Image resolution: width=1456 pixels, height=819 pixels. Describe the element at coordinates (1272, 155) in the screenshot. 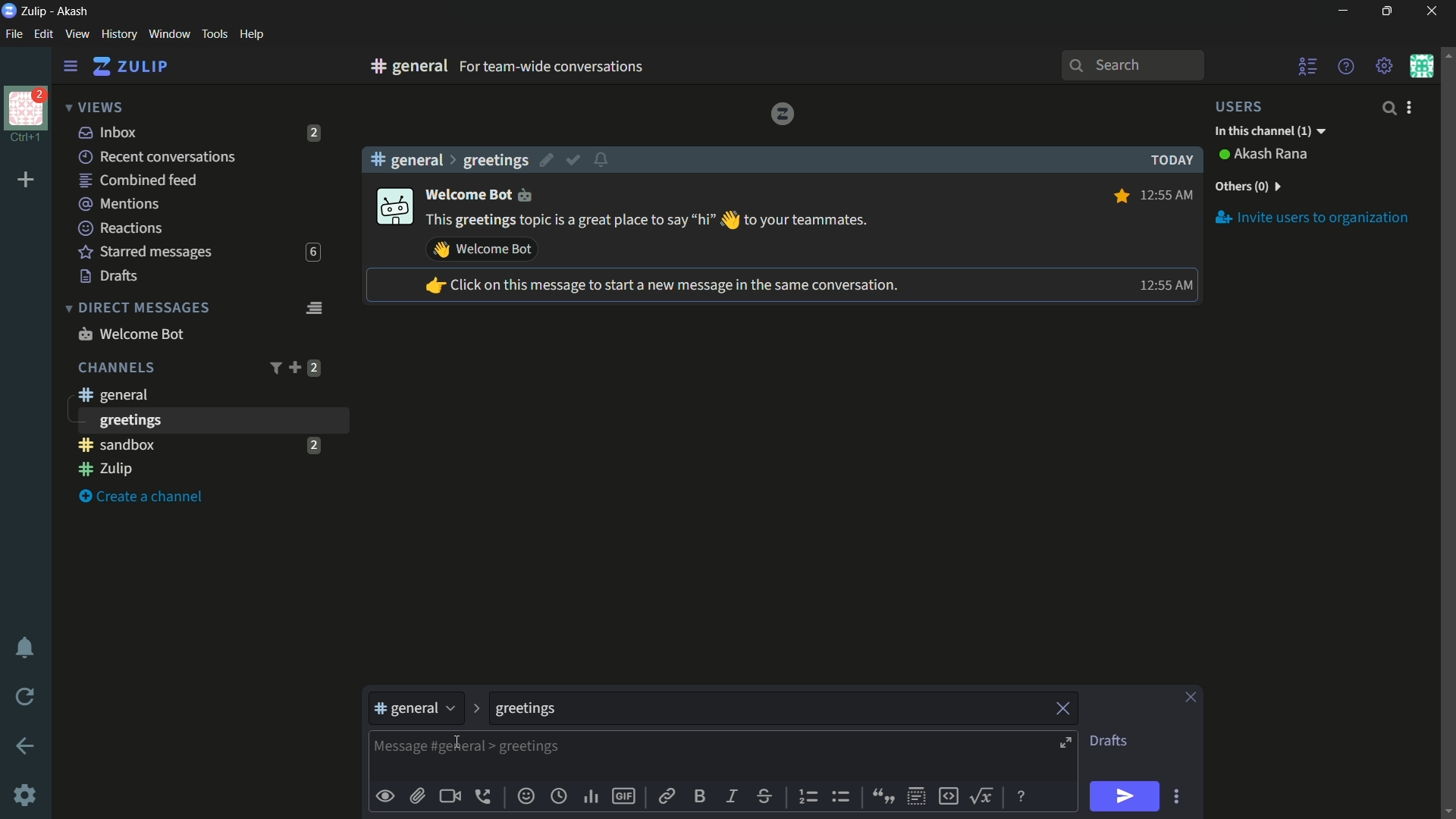

I see `Akash rana` at that location.